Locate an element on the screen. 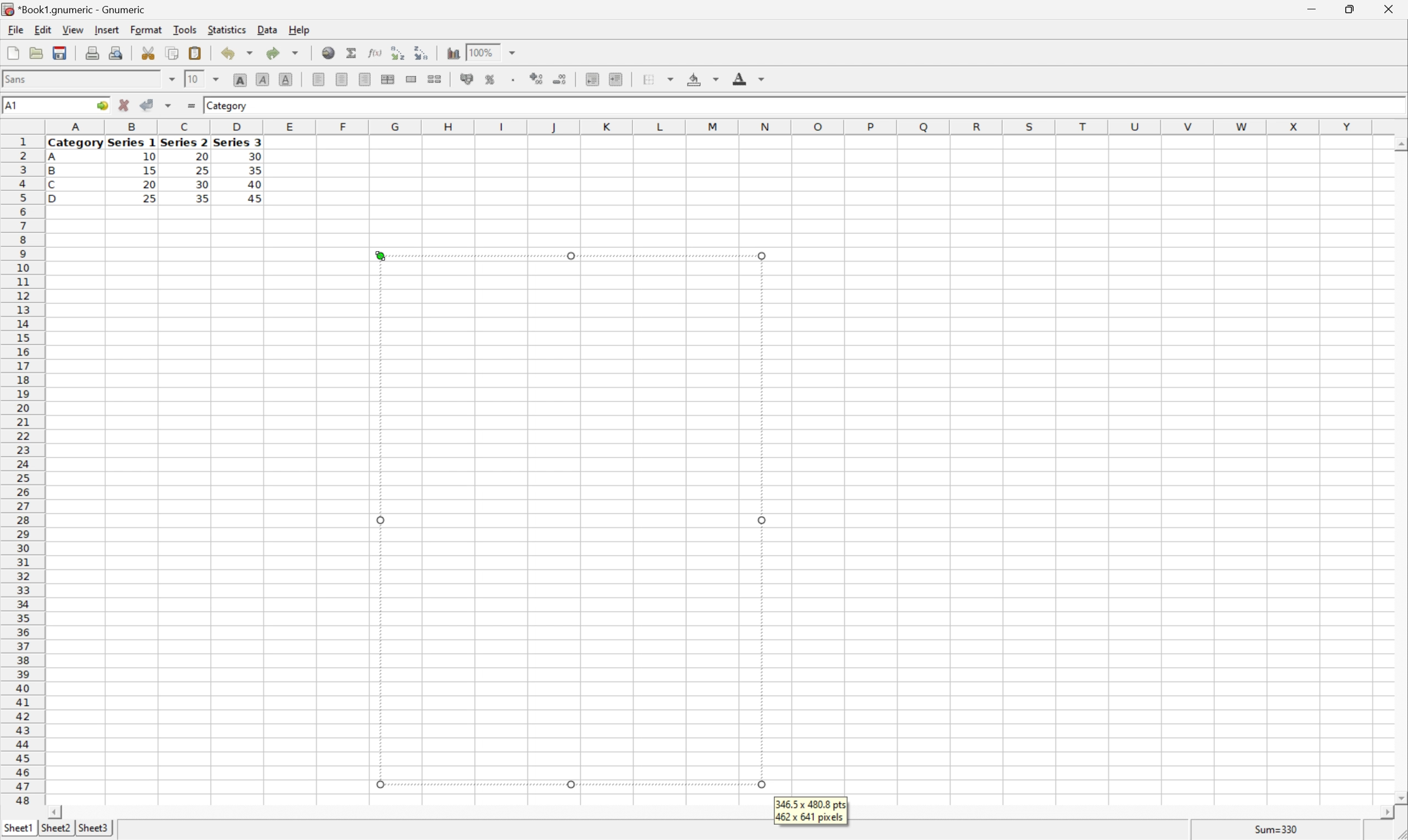  Insert is located at coordinates (108, 30).